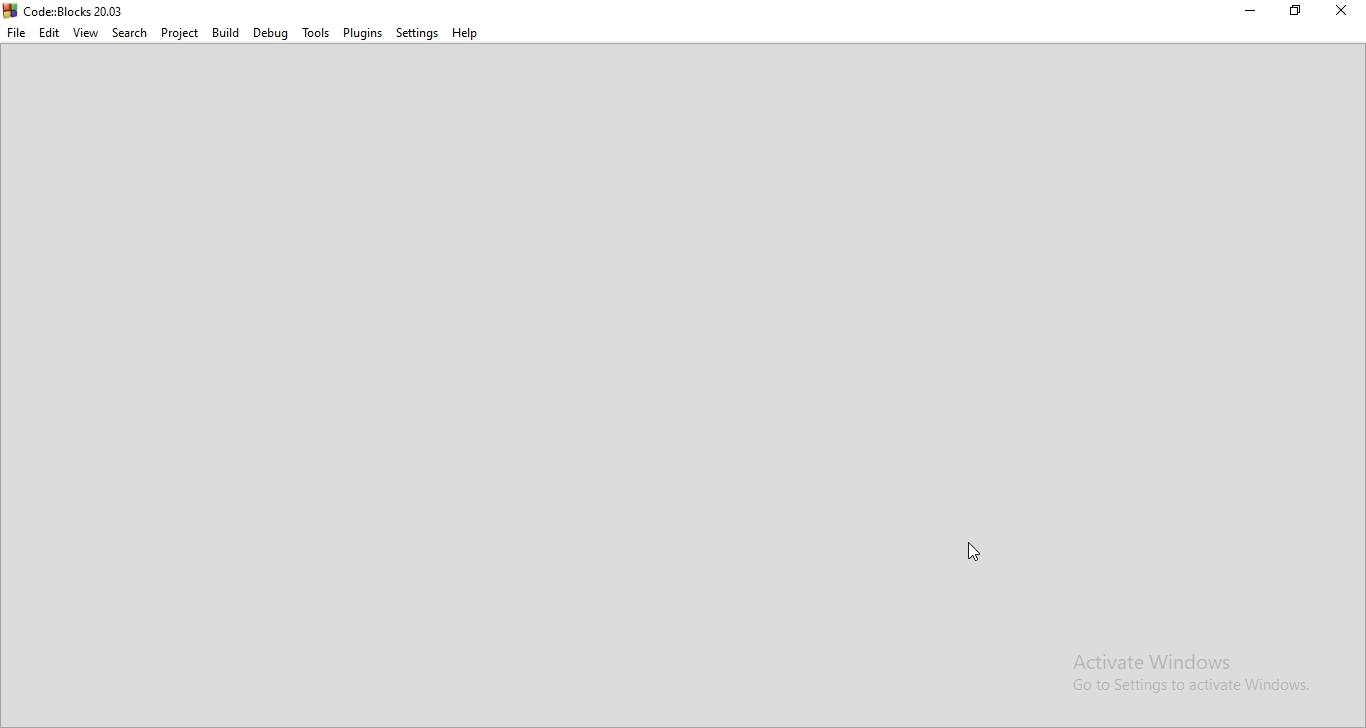 This screenshot has width=1366, height=728. Describe the element at coordinates (362, 32) in the screenshot. I see `Plugins ` at that location.